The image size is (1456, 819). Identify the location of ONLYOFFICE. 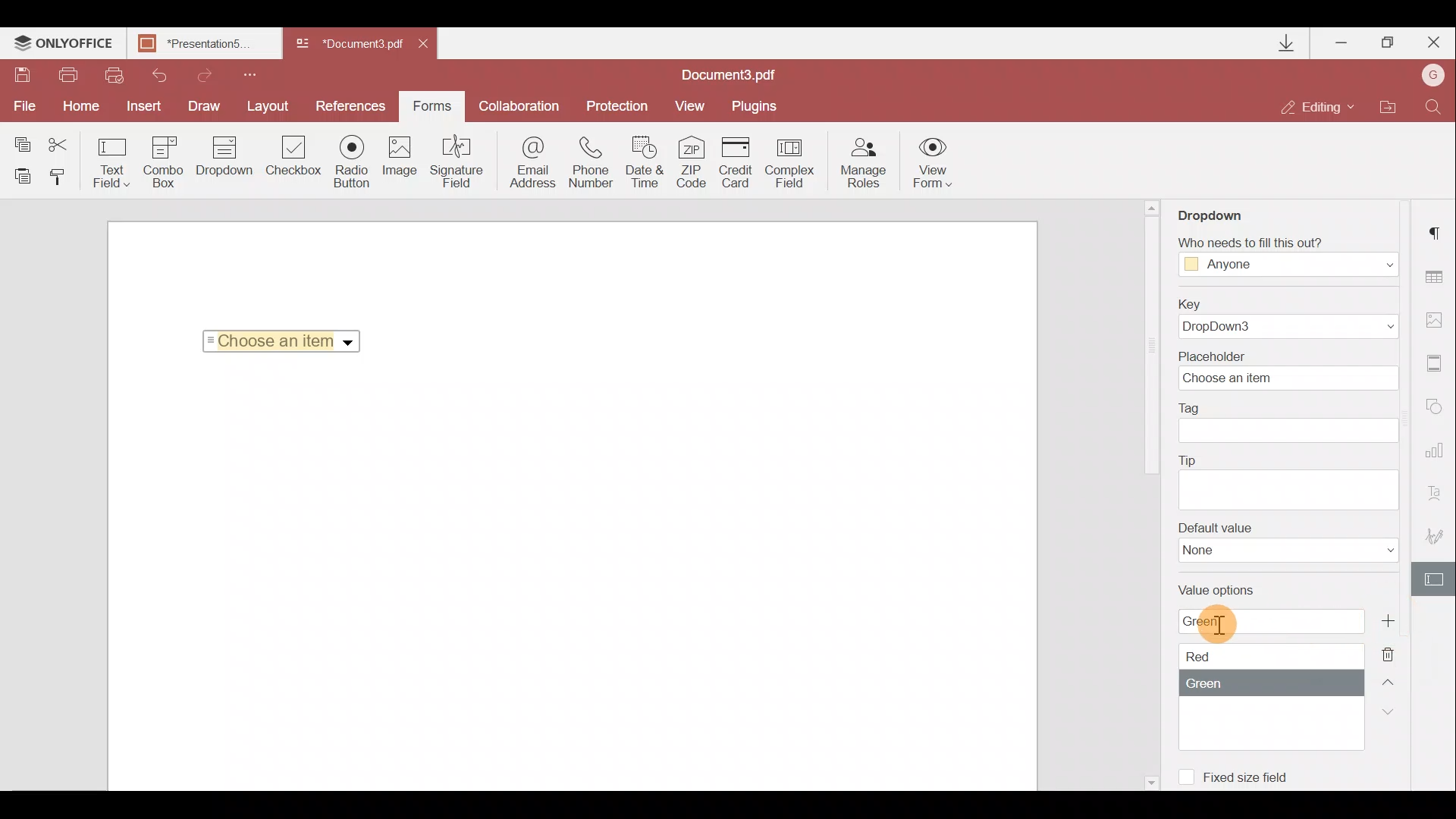
(64, 45).